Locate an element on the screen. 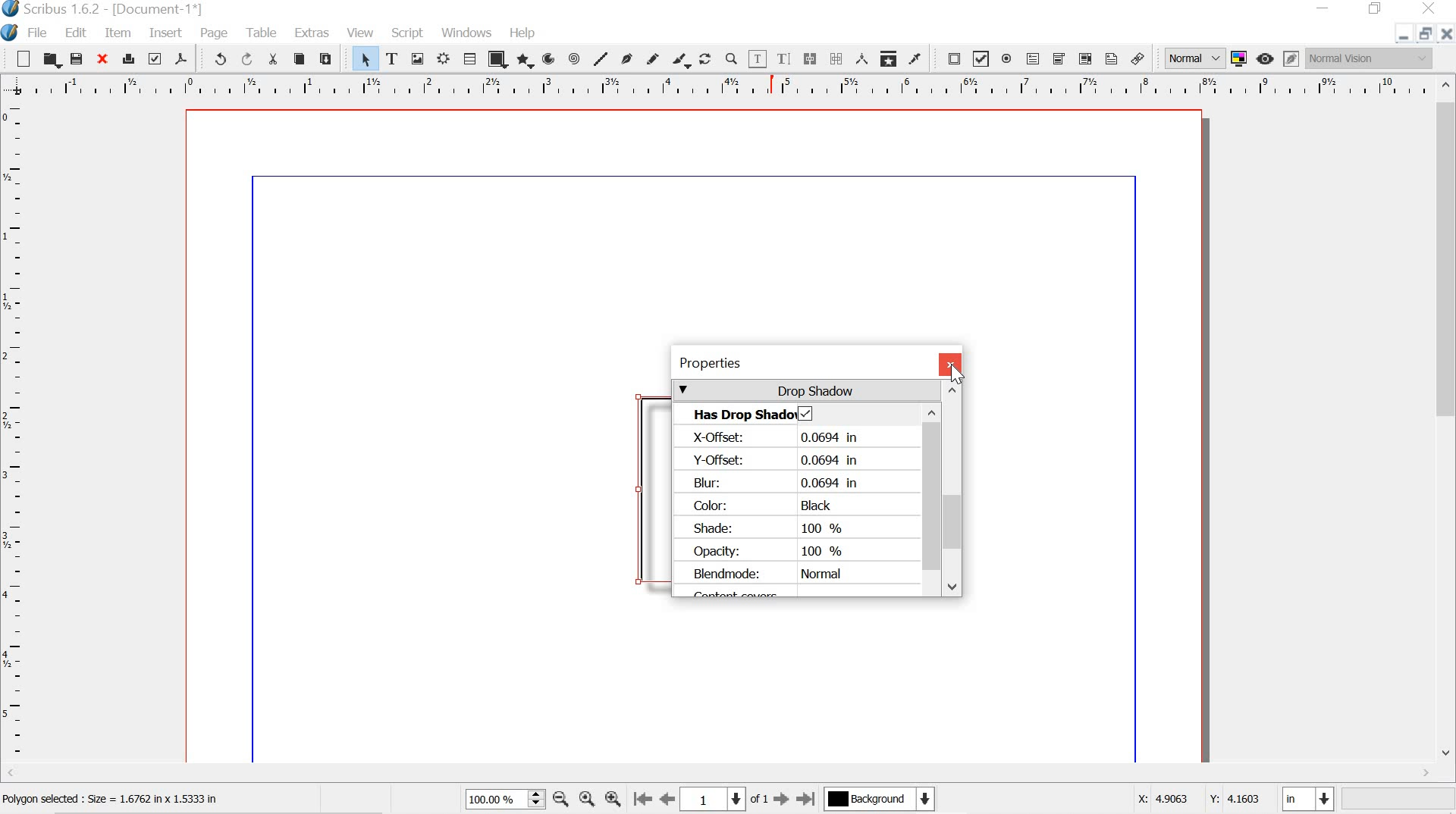  open is located at coordinates (52, 60).